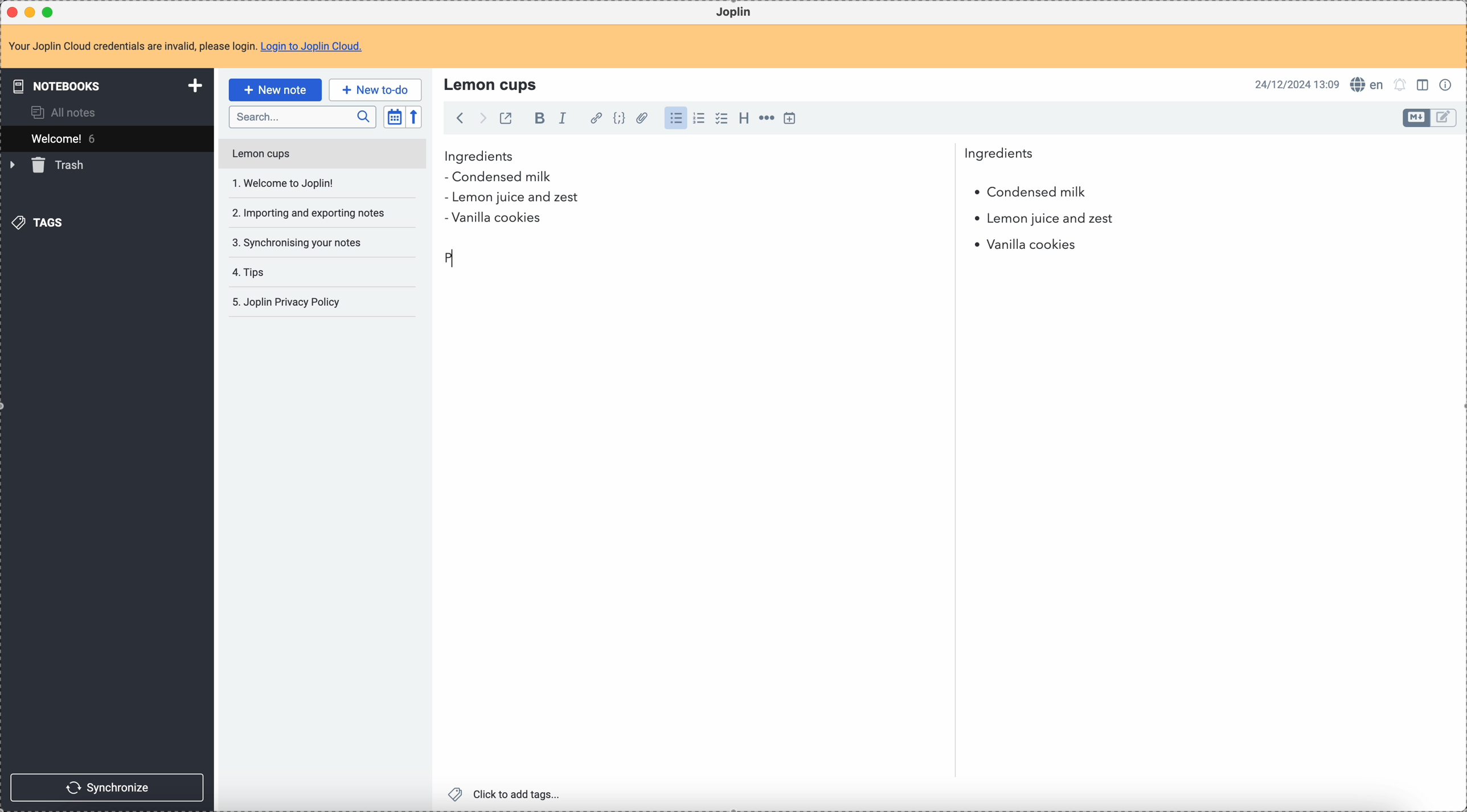 Image resolution: width=1467 pixels, height=812 pixels. I want to click on notebooks, so click(109, 85).